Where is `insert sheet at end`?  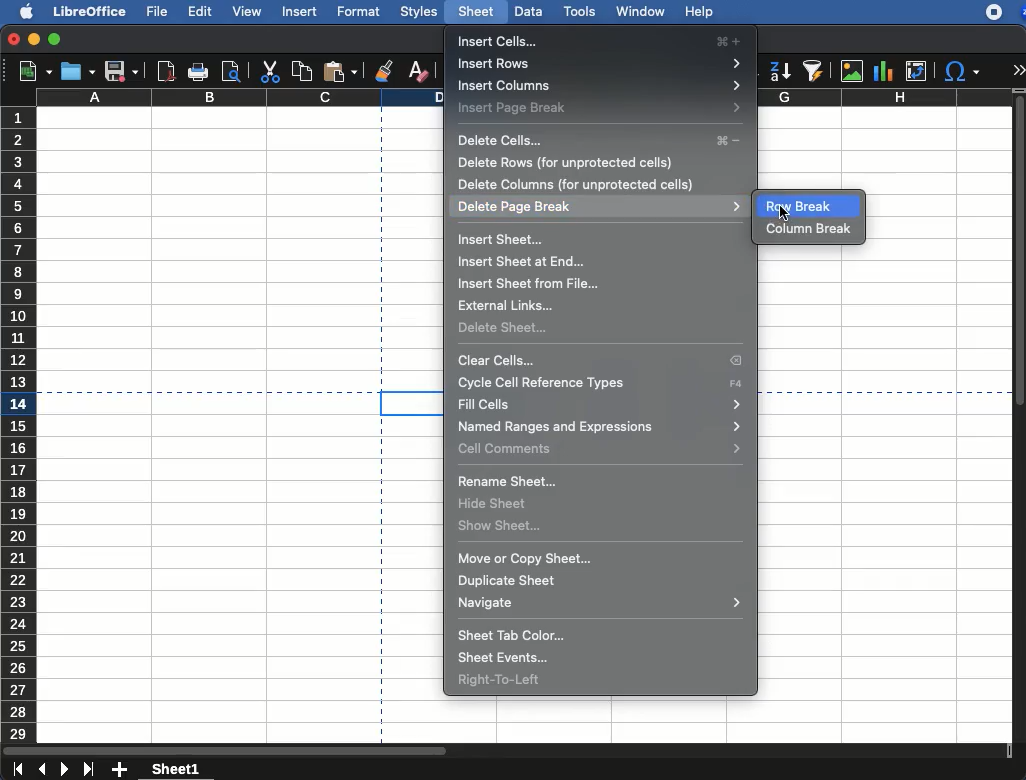
insert sheet at end is located at coordinates (523, 261).